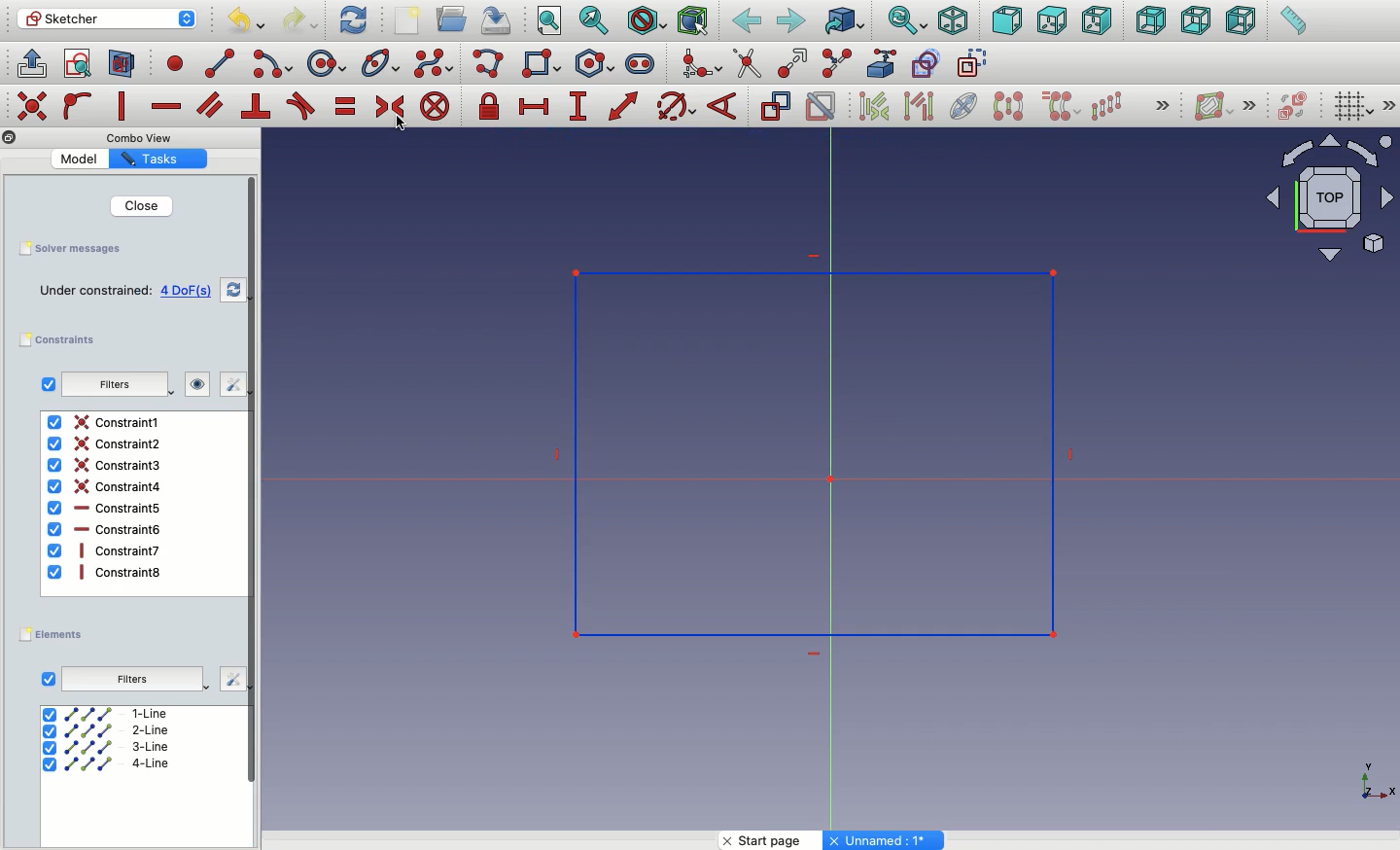 The height and width of the screenshot is (850, 1400). Describe the element at coordinates (492, 65) in the screenshot. I see `Polyline` at that location.